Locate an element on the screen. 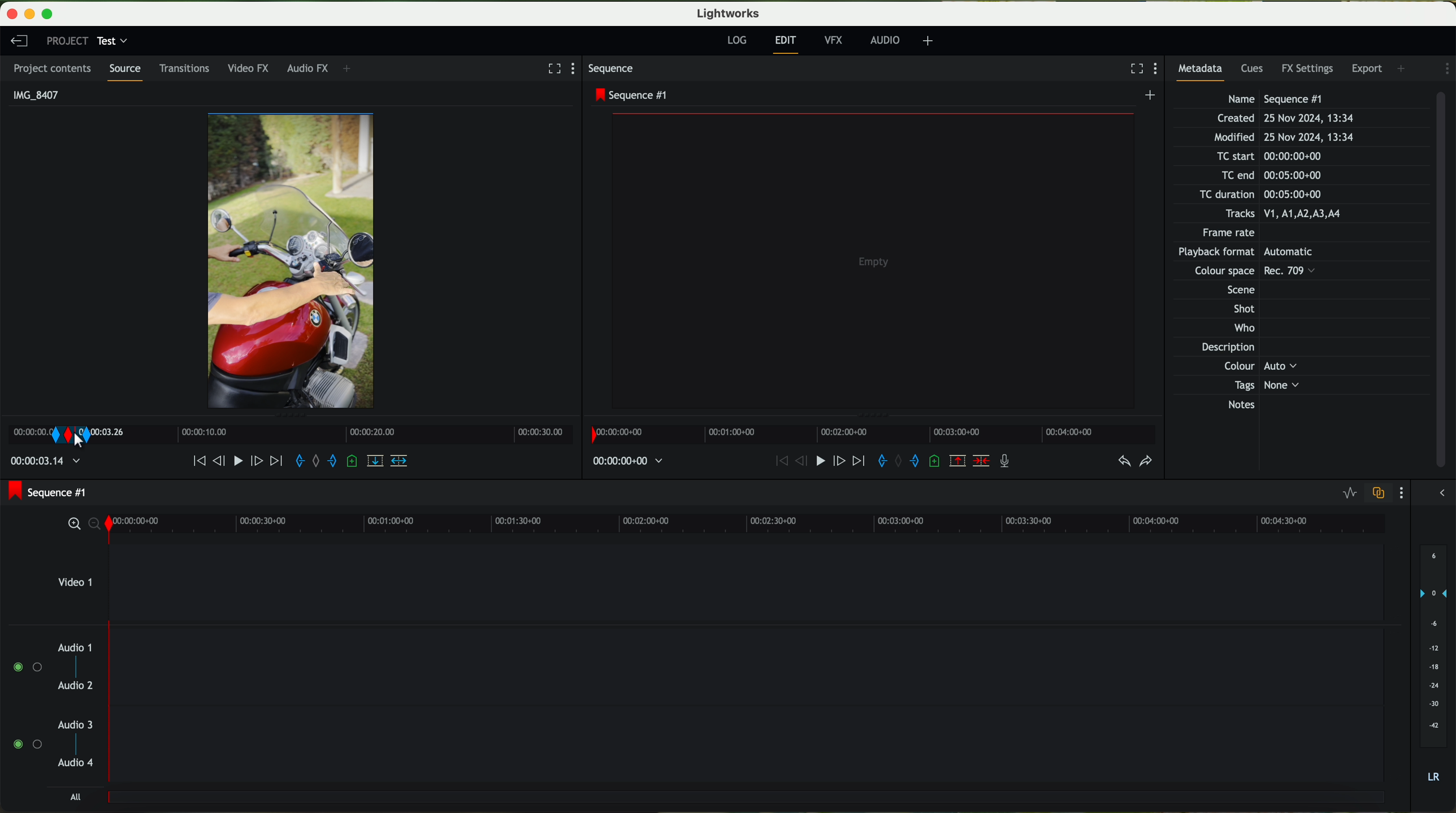 Image resolution: width=1456 pixels, height=813 pixels. show settings menu is located at coordinates (1404, 493).